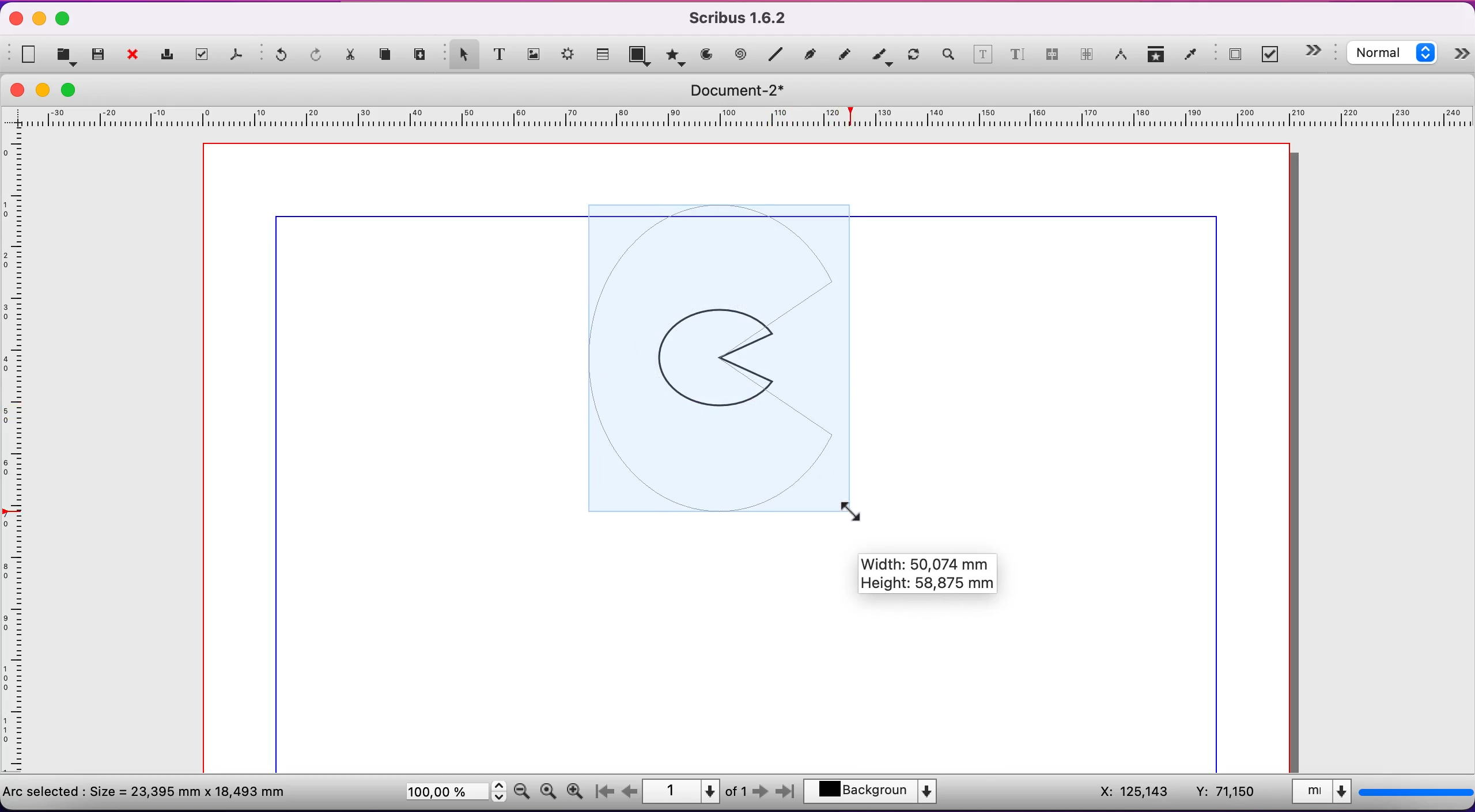 This screenshot has height=812, width=1475. I want to click on zoom out, so click(522, 790).